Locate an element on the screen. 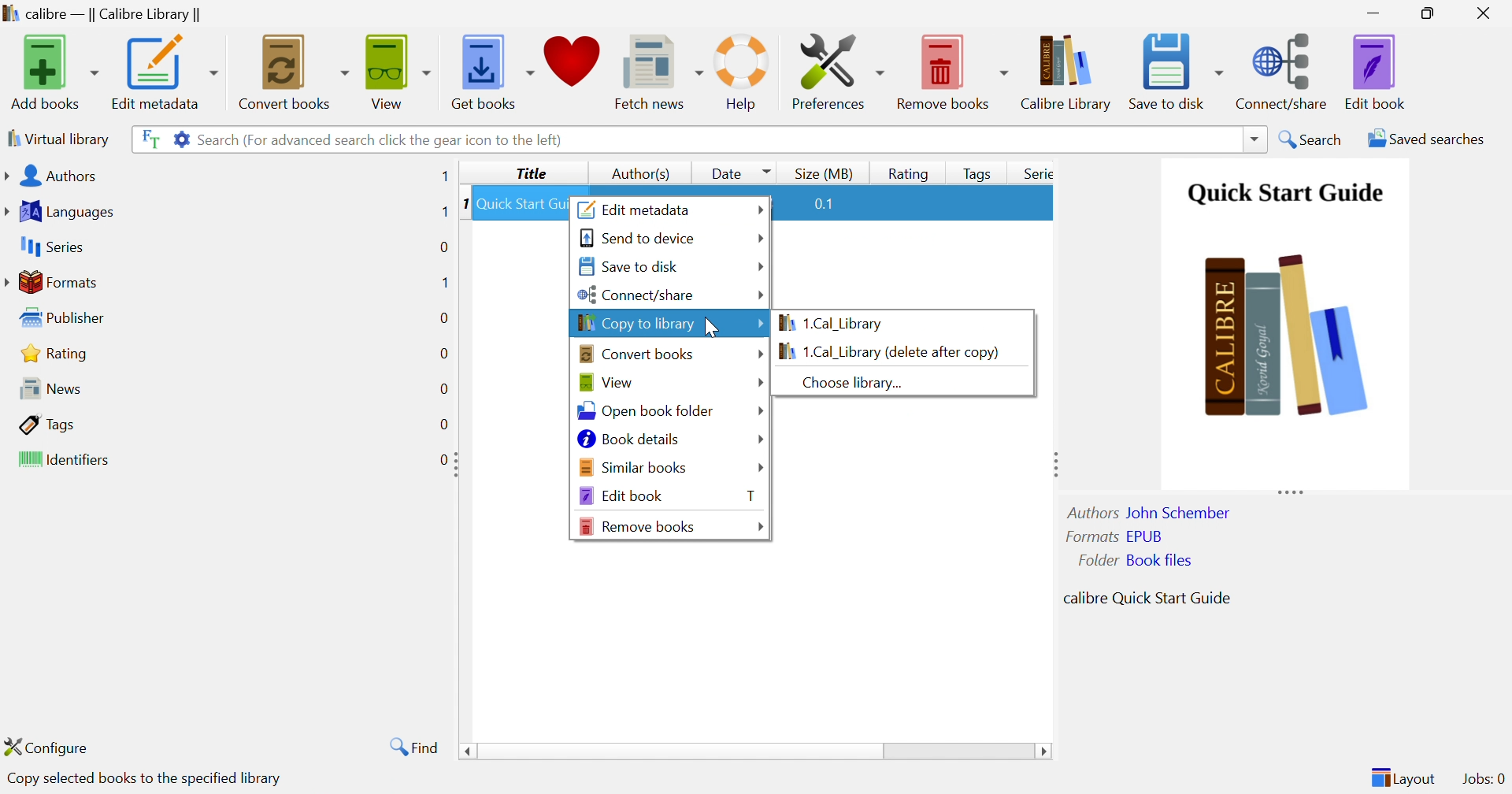  0 is located at coordinates (443, 319).